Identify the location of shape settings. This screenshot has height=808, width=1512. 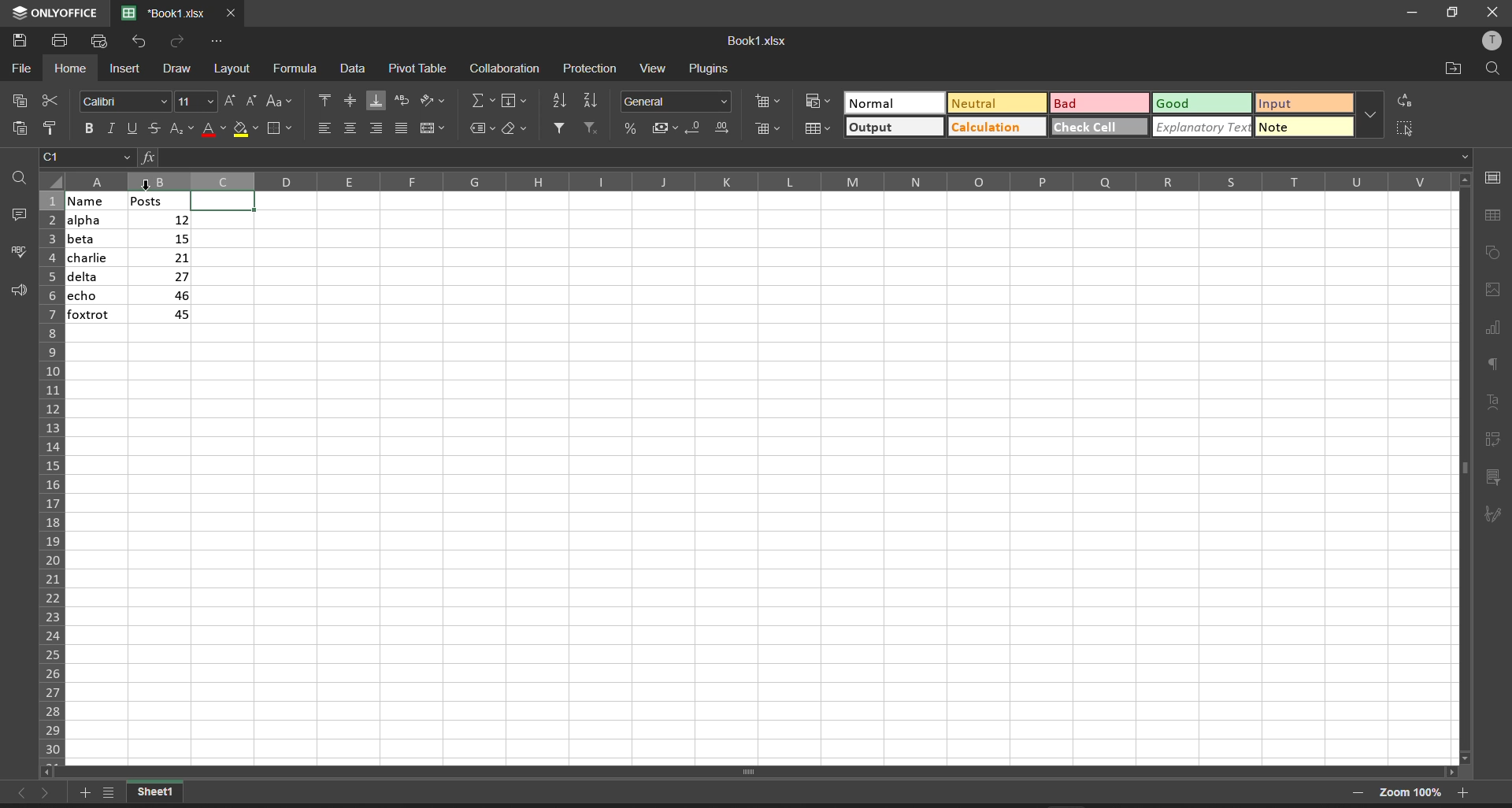
(1499, 251).